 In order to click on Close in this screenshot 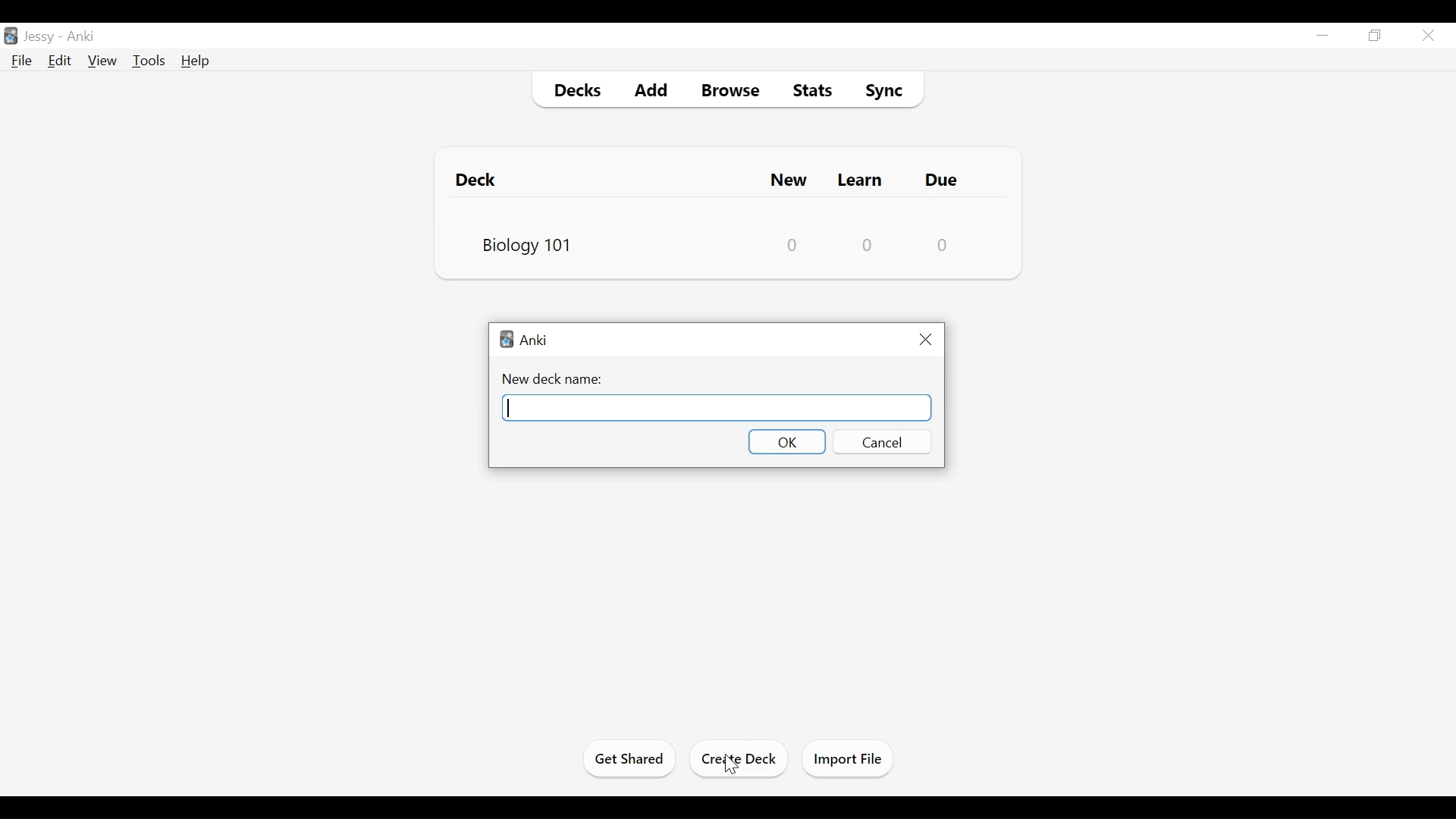, I will do `click(1428, 36)`.